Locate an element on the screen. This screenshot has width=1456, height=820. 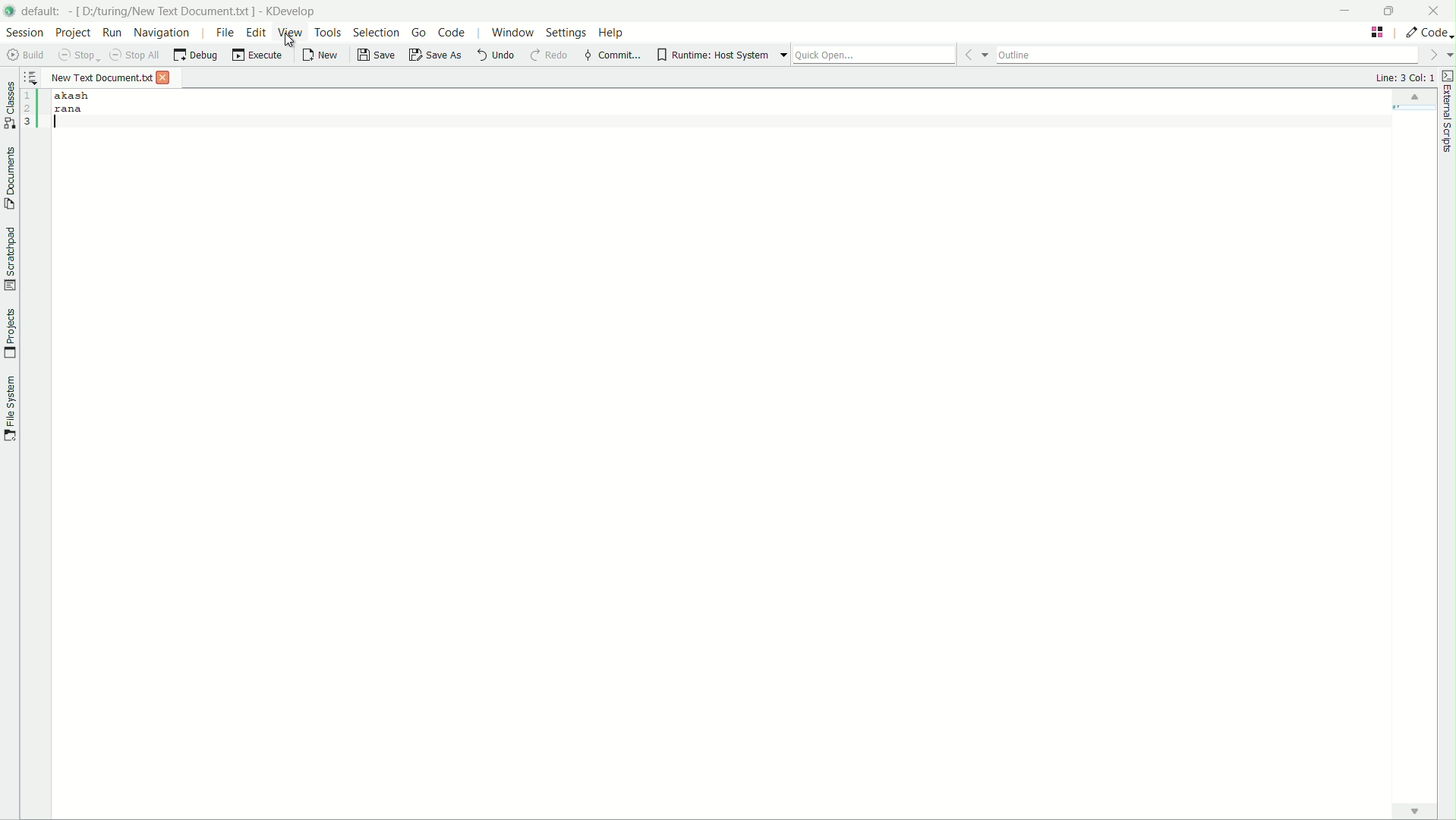
project menu is located at coordinates (72, 32).